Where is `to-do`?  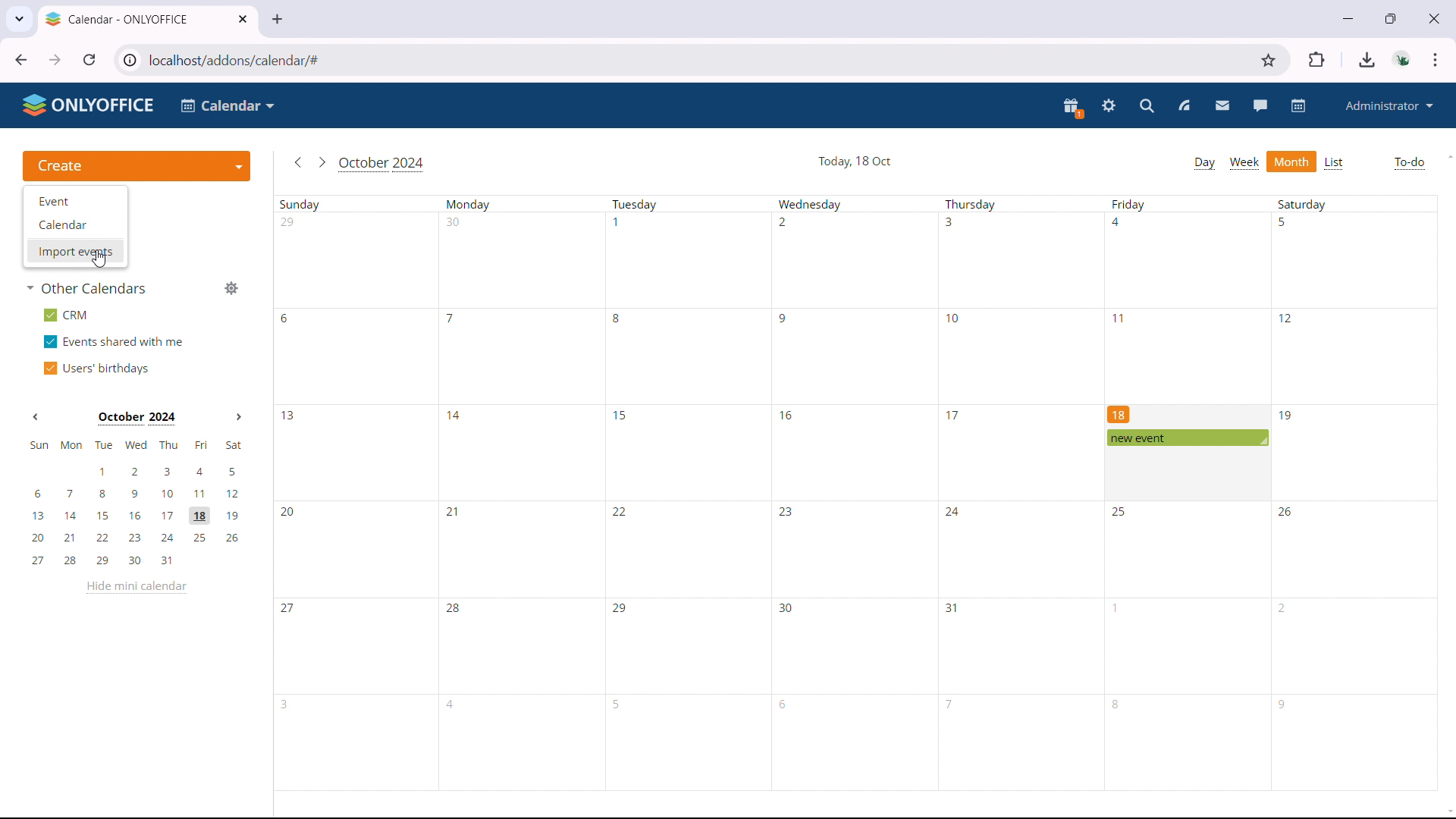 to-do is located at coordinates (1409, 163).